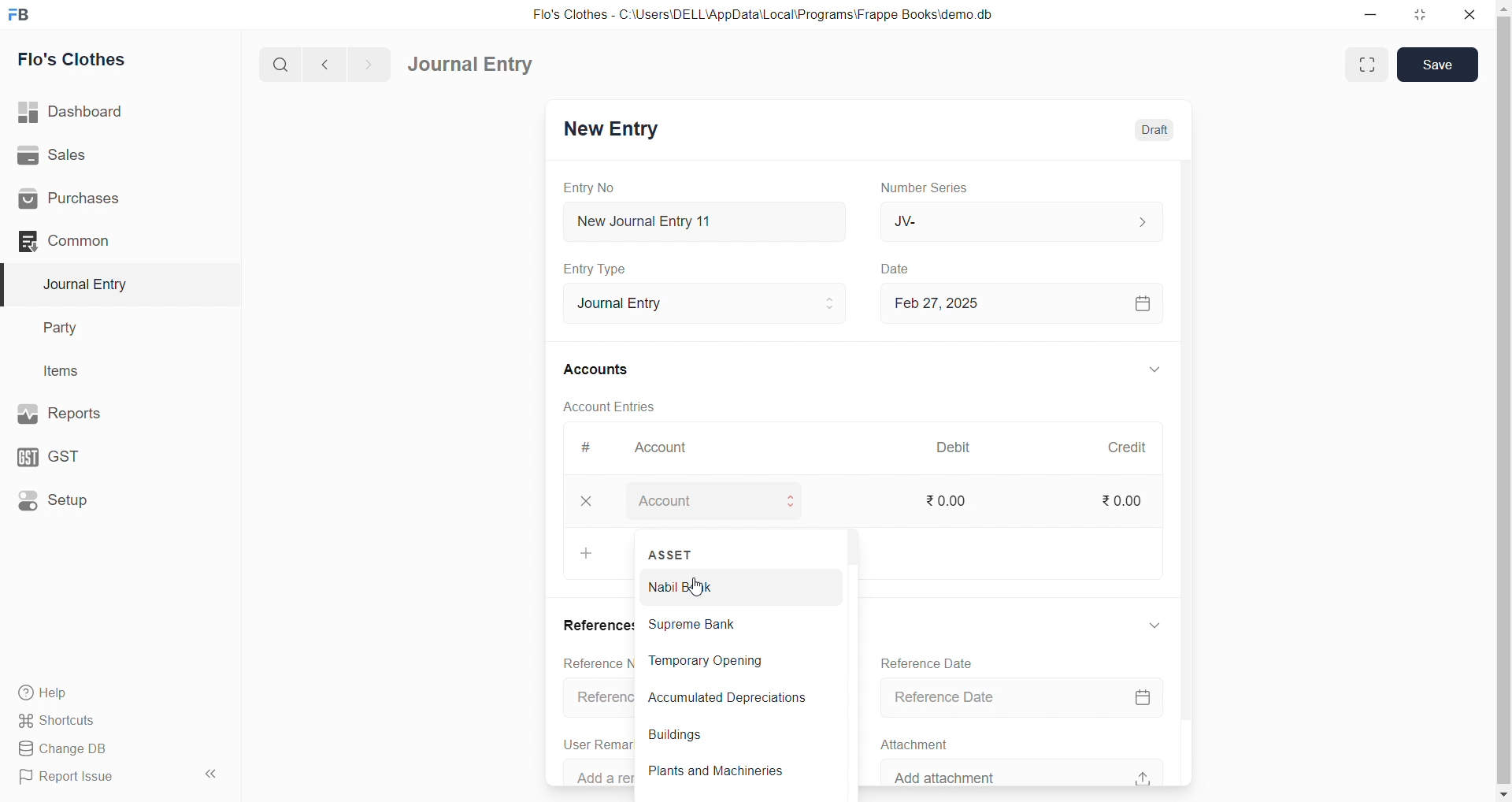 Image resolution: width=1512 pixels, height=802 pixels. I want to click on ₹0.00, so click(1132, 500).